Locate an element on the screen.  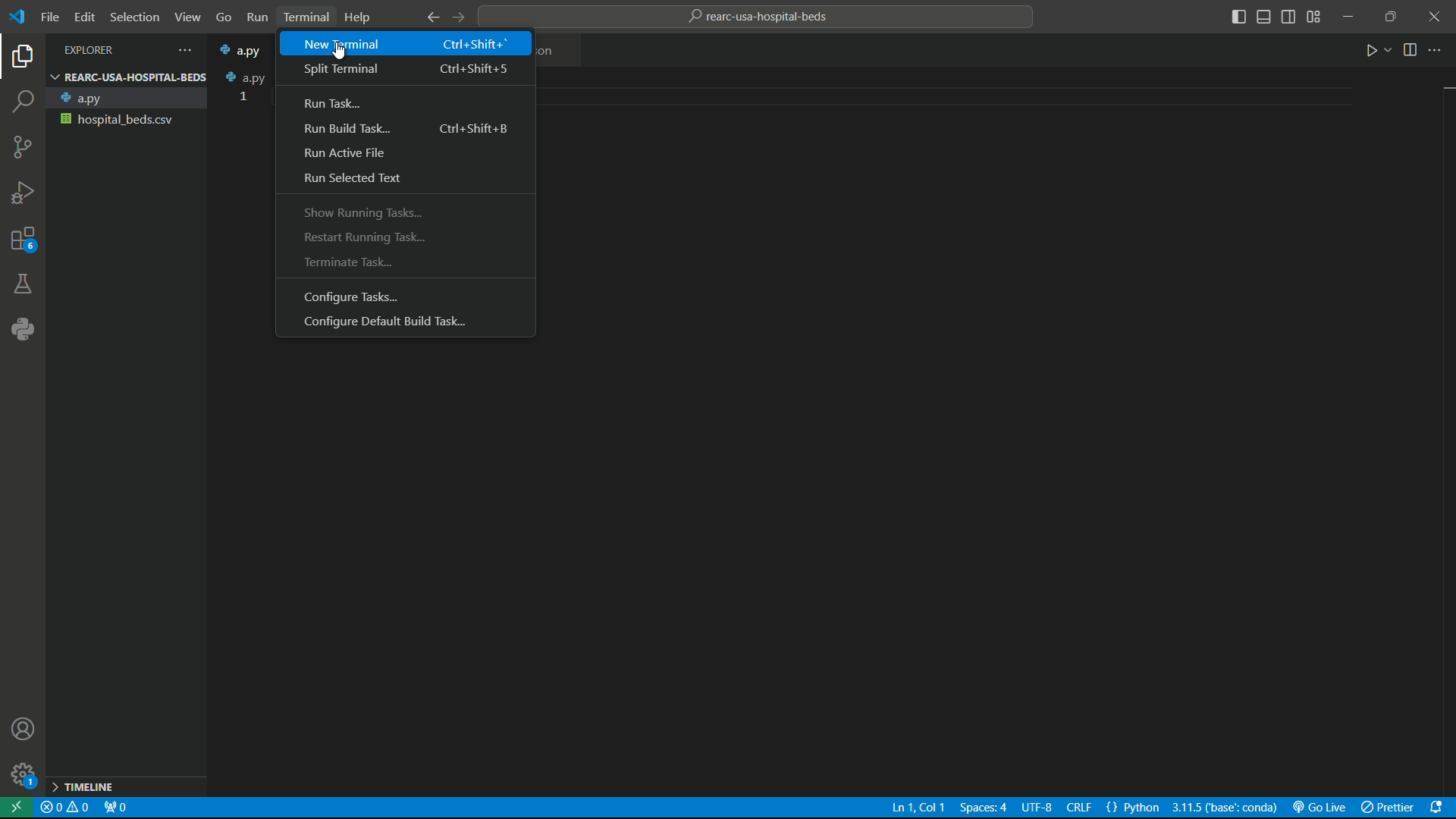
select interpreter is located at coordinates (1223, 808).